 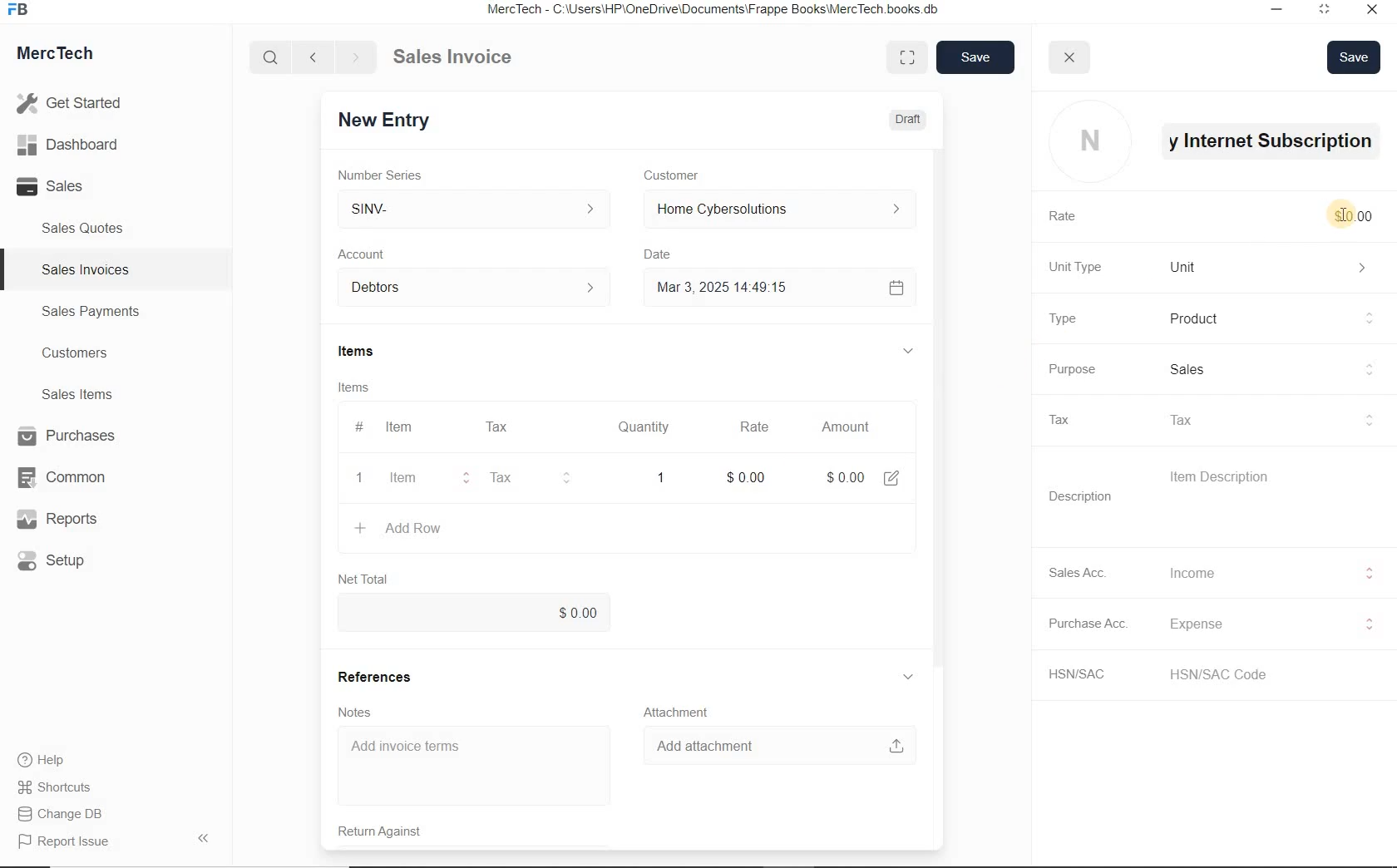 What do you see at coordinates (474, 289) in the screenshot?
I see `Account dropdown` at bounding box center [474, 289].